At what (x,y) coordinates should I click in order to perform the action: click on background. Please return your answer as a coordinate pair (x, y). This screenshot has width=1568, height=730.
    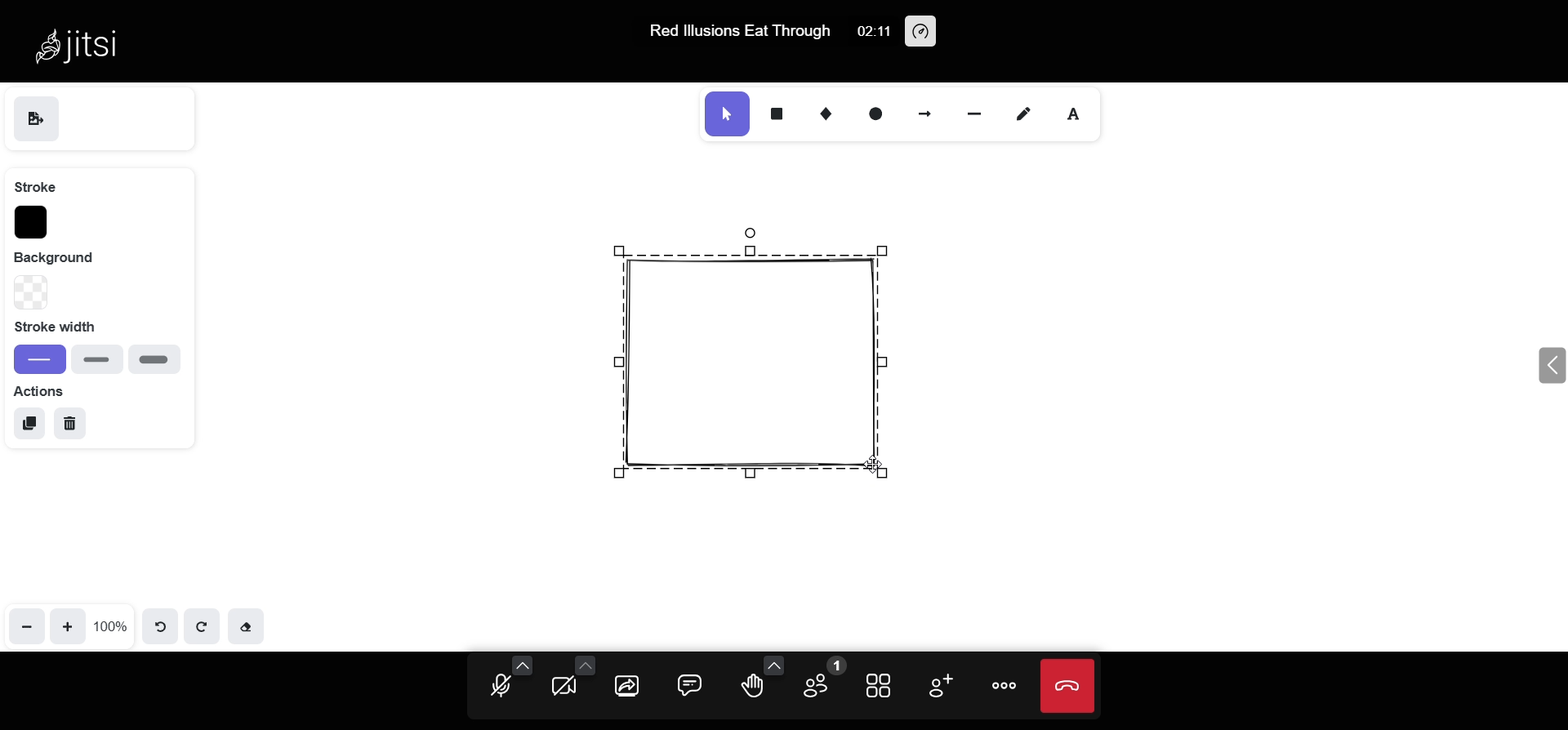
    Looking at the image, I should click on (67, 256).